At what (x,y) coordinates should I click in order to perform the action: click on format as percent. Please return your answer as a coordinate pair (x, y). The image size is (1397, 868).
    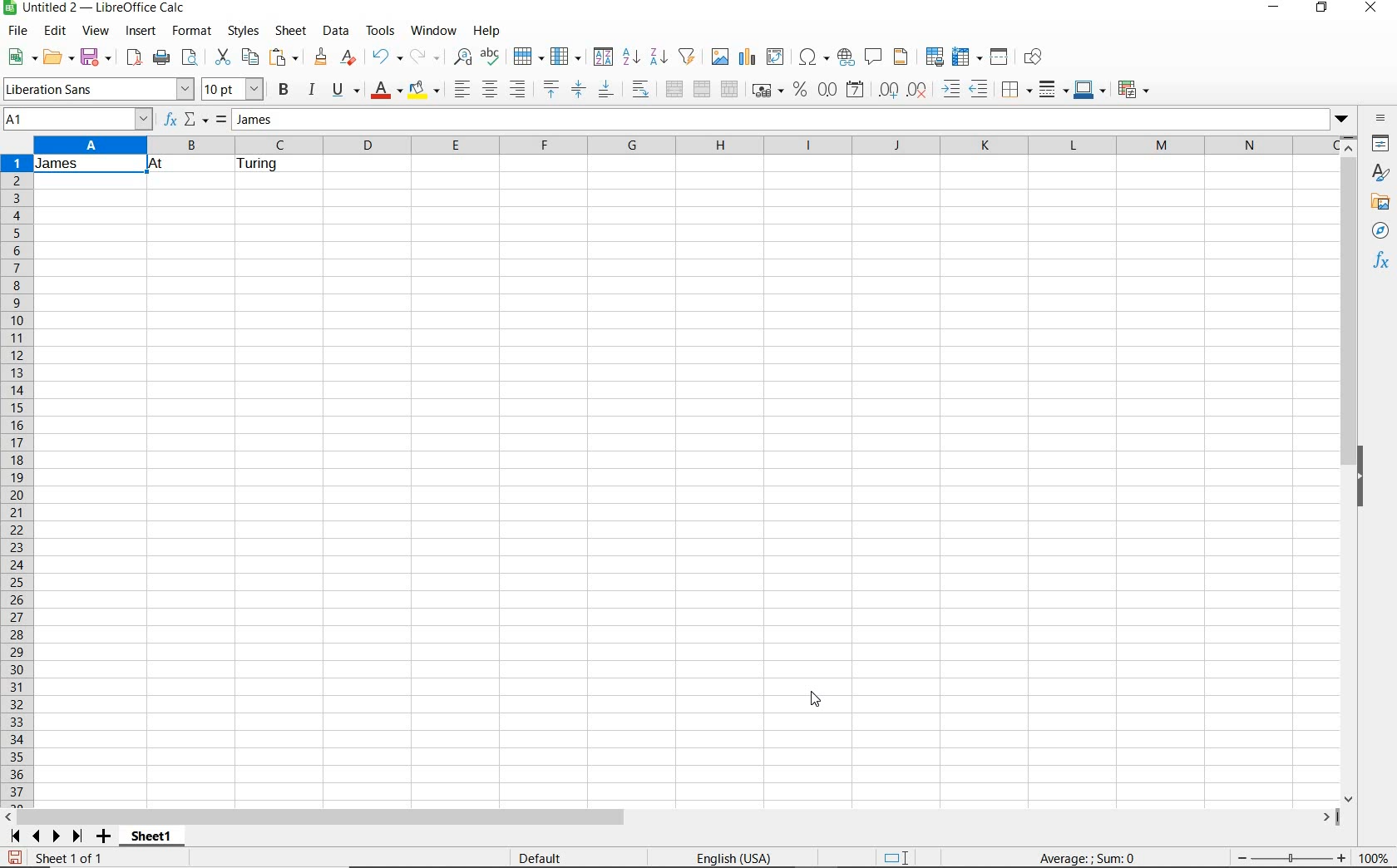
    Looking at the image, I should click on (799, 91).